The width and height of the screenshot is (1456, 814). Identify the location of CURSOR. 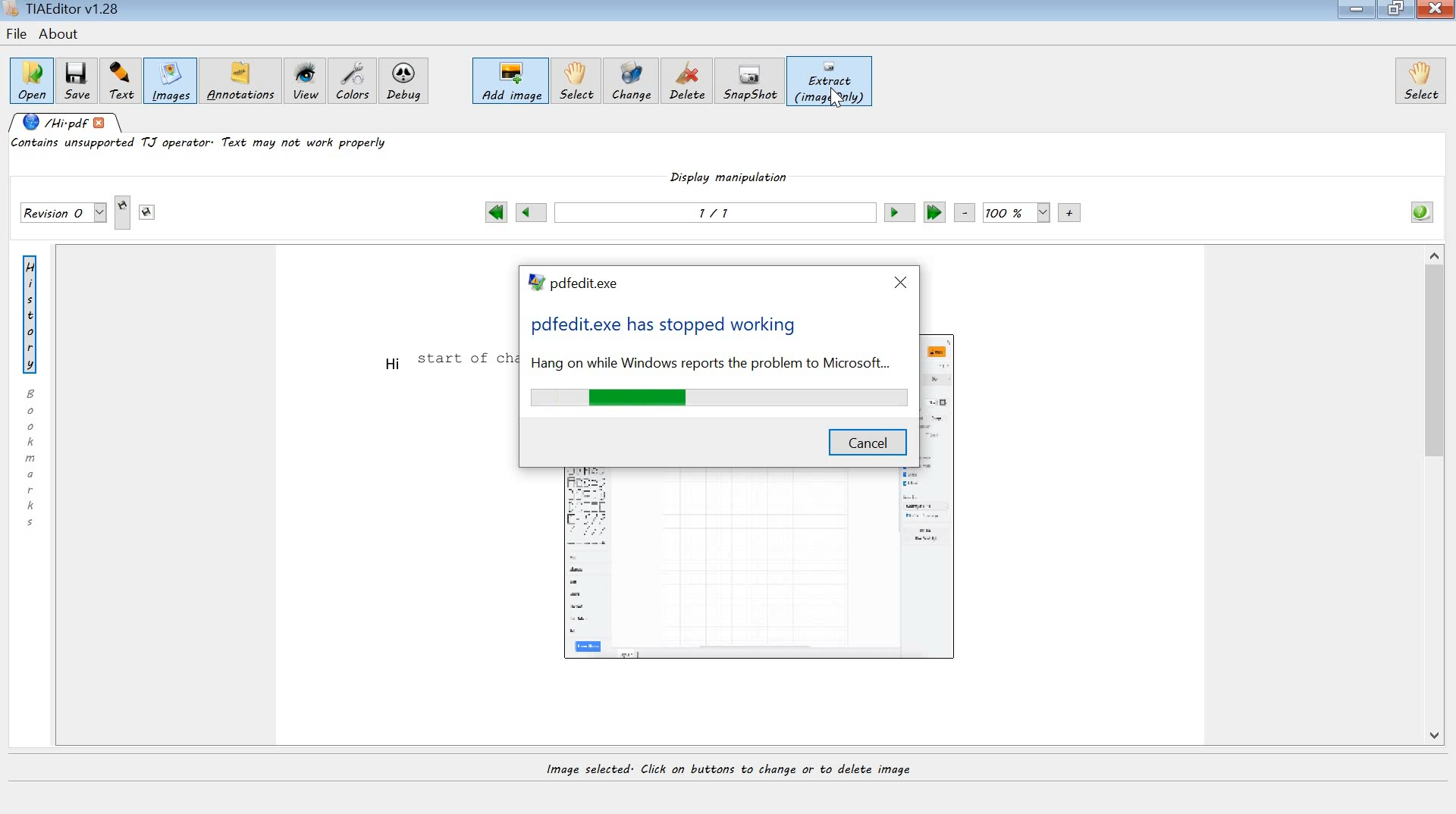
(836, 102).